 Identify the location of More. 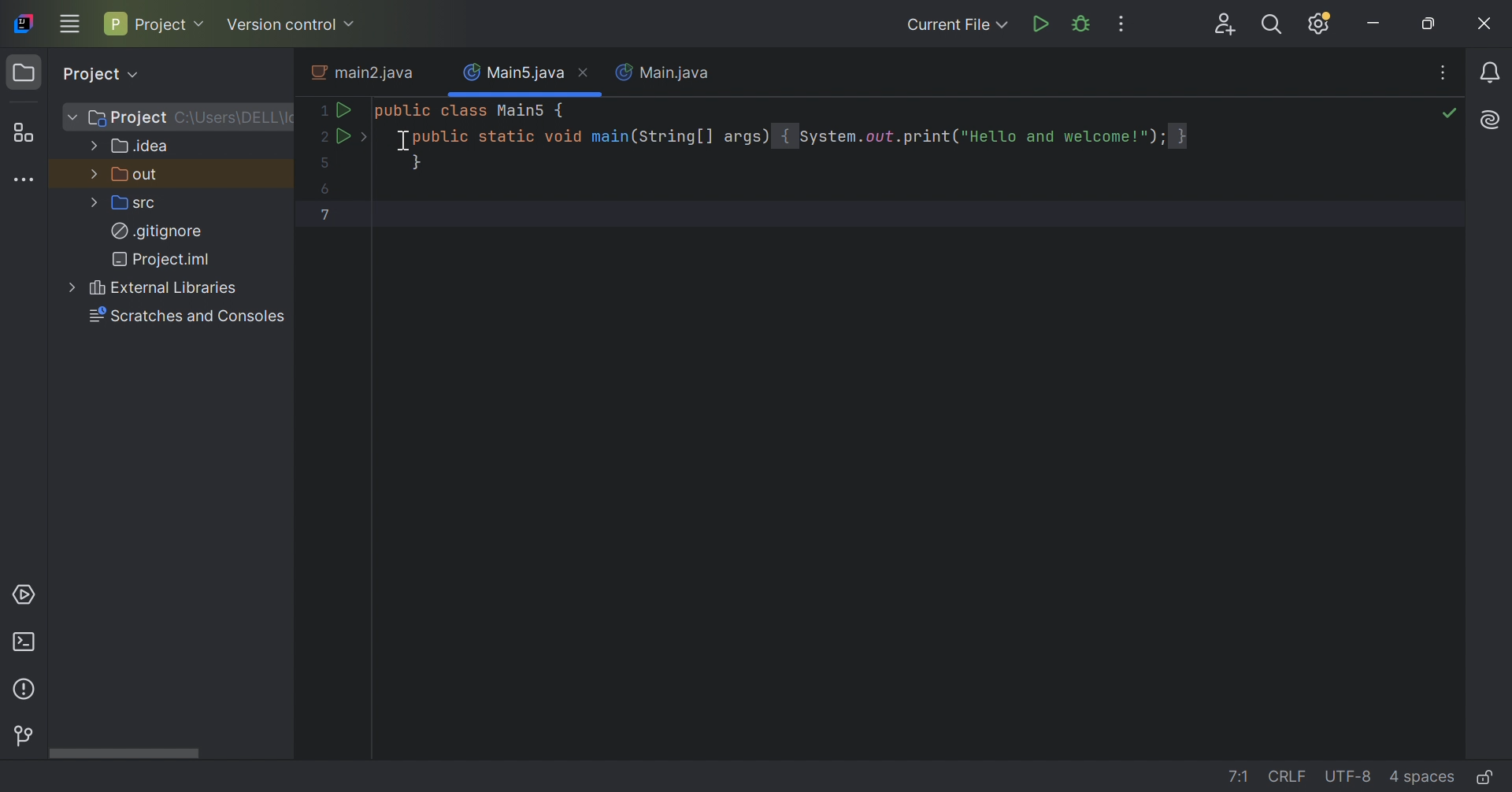
(69, 116).